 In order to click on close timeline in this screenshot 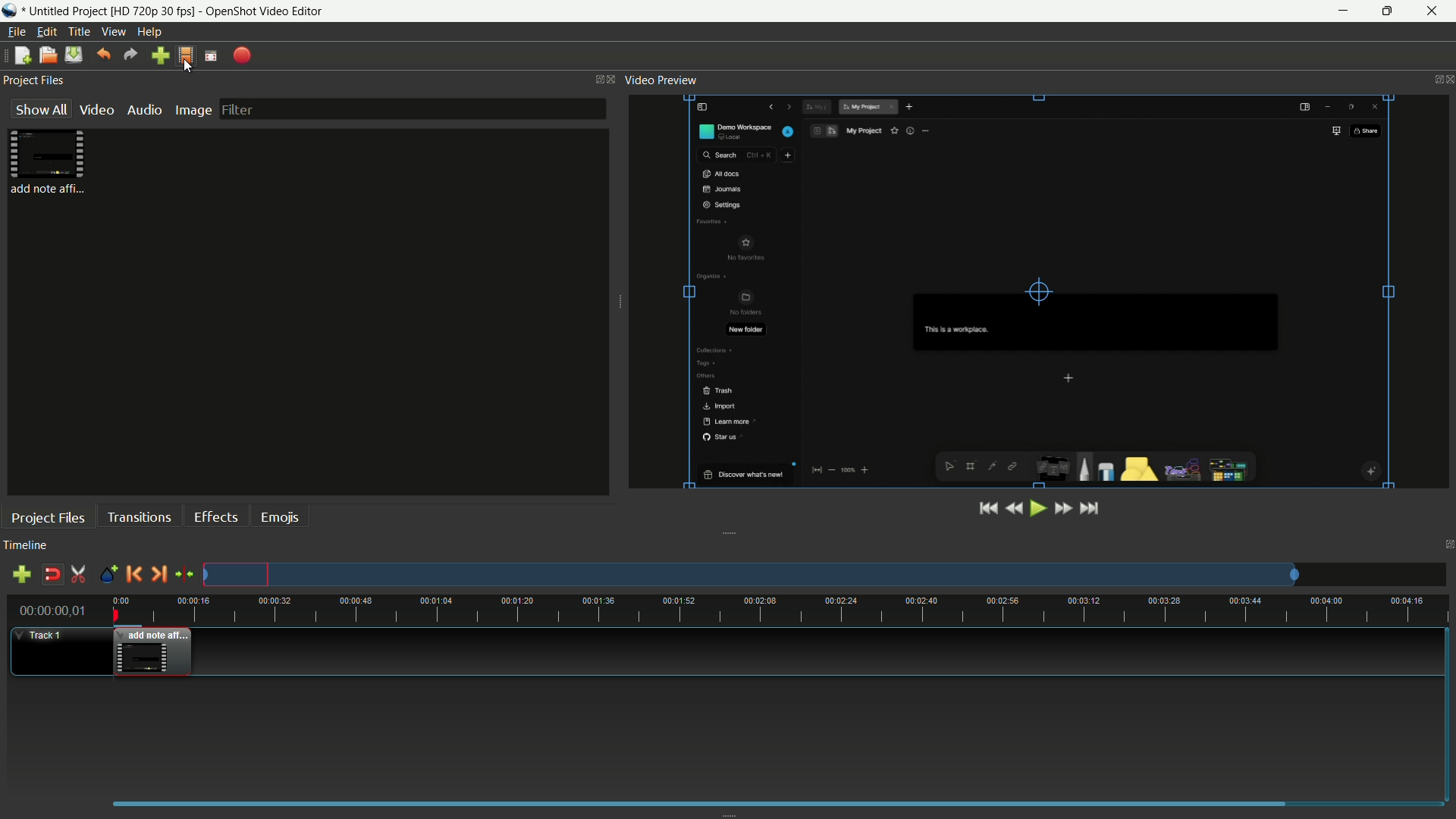, I will do `click(1447, 545)`.